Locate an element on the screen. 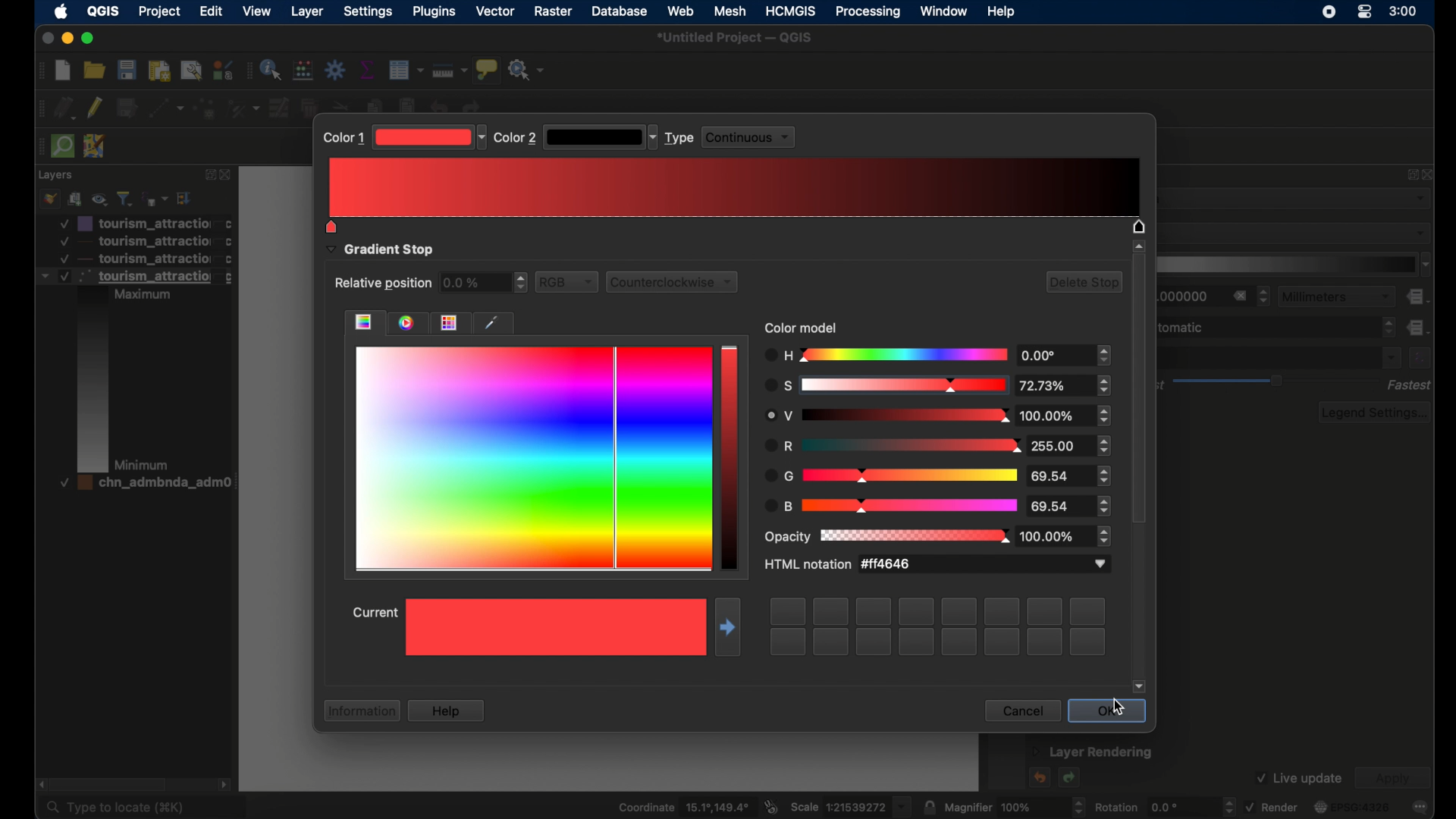 This screenshot has width=1456, height=819. edit is located at coordinates (209, 11).